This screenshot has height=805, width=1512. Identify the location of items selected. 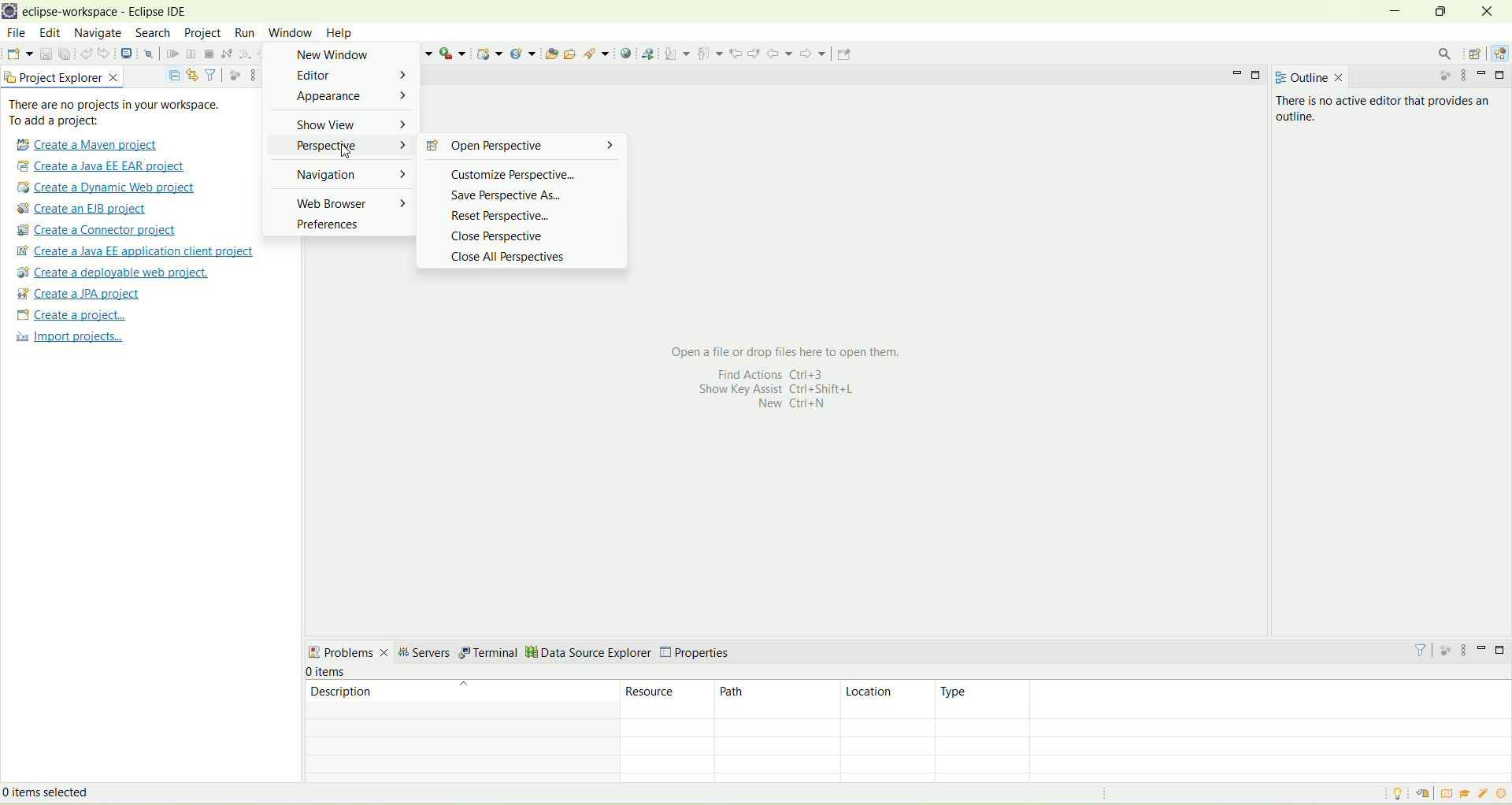
(70, 791).